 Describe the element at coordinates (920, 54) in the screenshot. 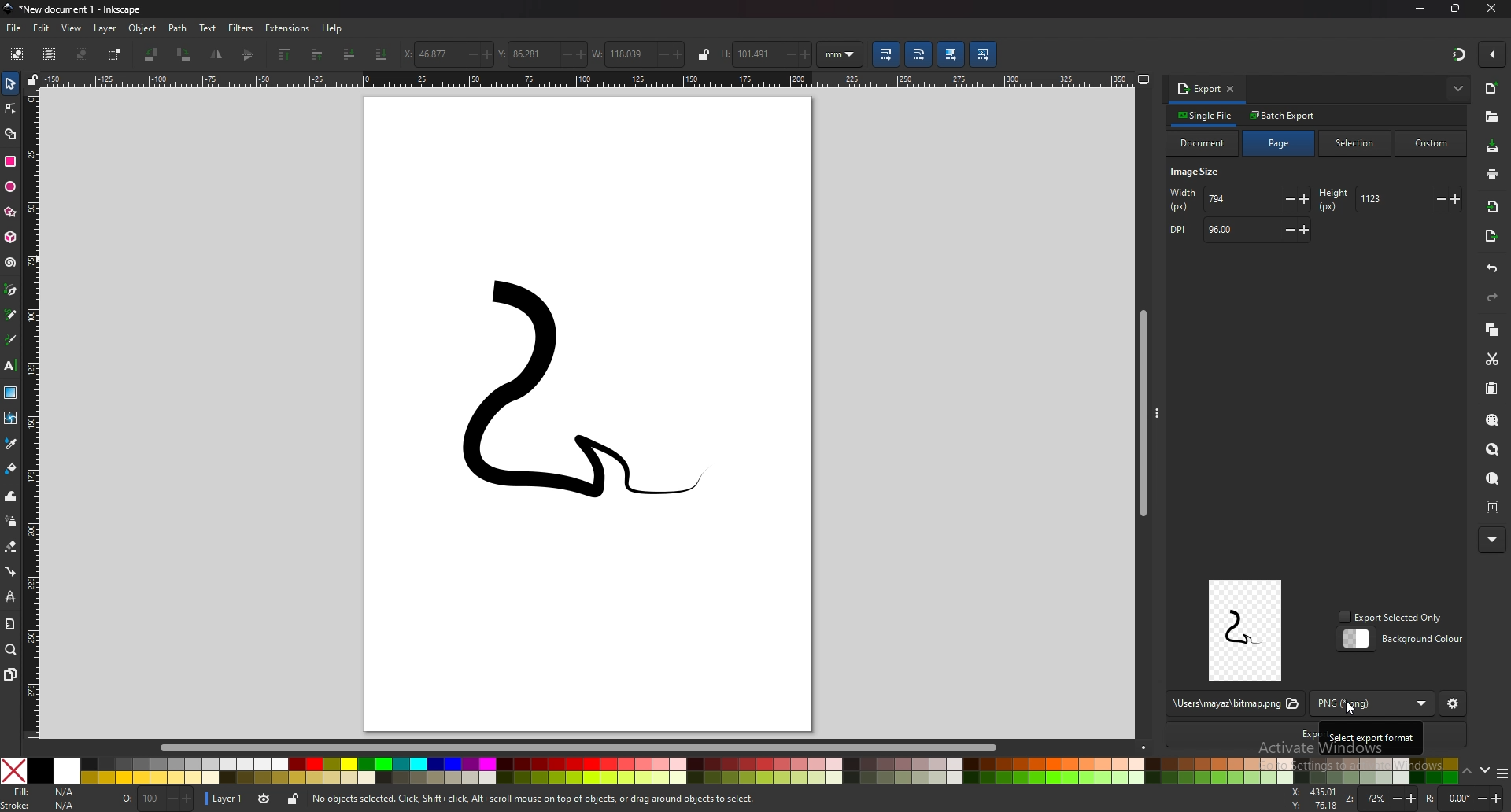

I see `scale radii` at that location.